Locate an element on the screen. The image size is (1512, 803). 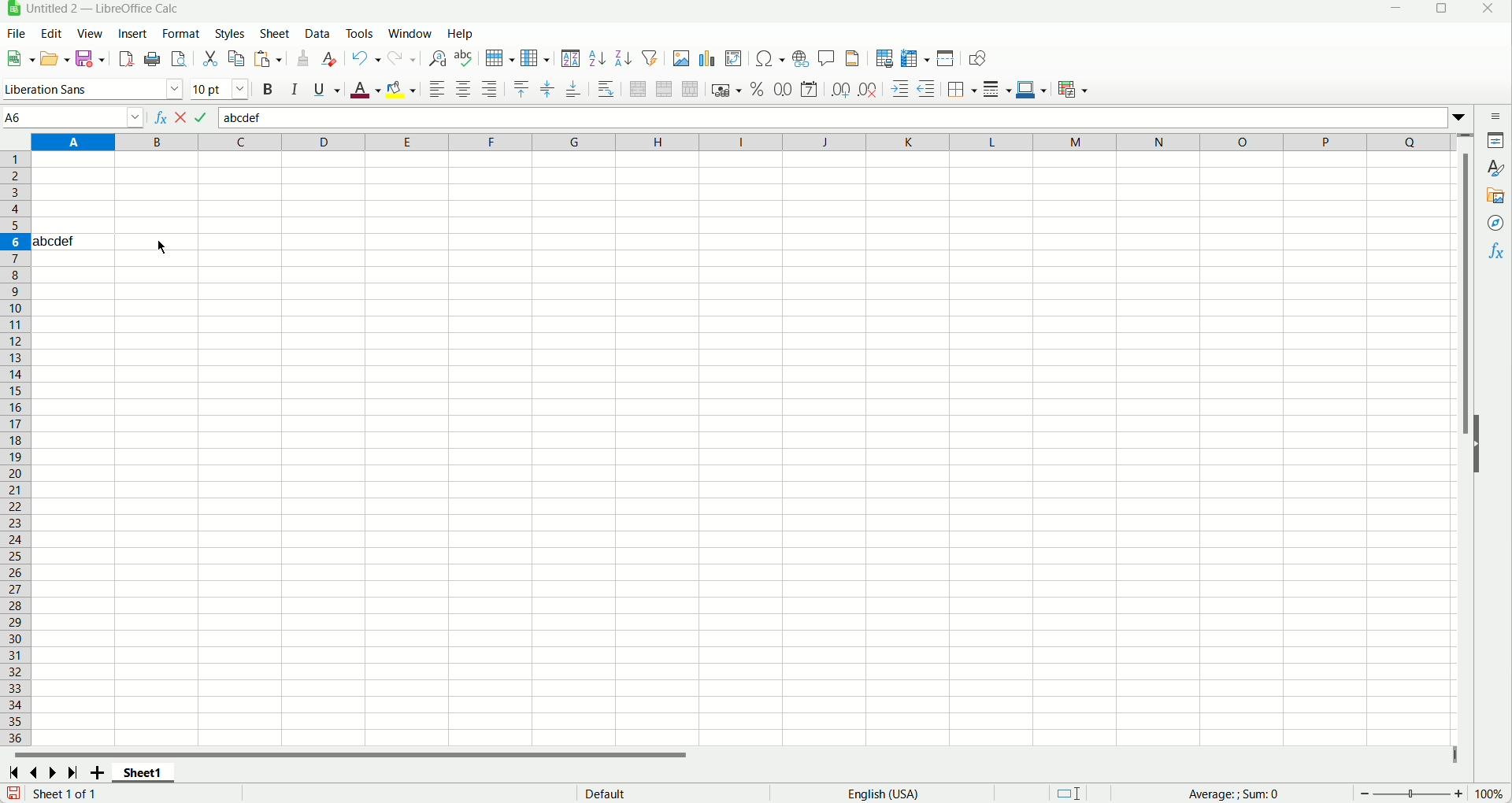
rows is located at coordinates (15, 449).